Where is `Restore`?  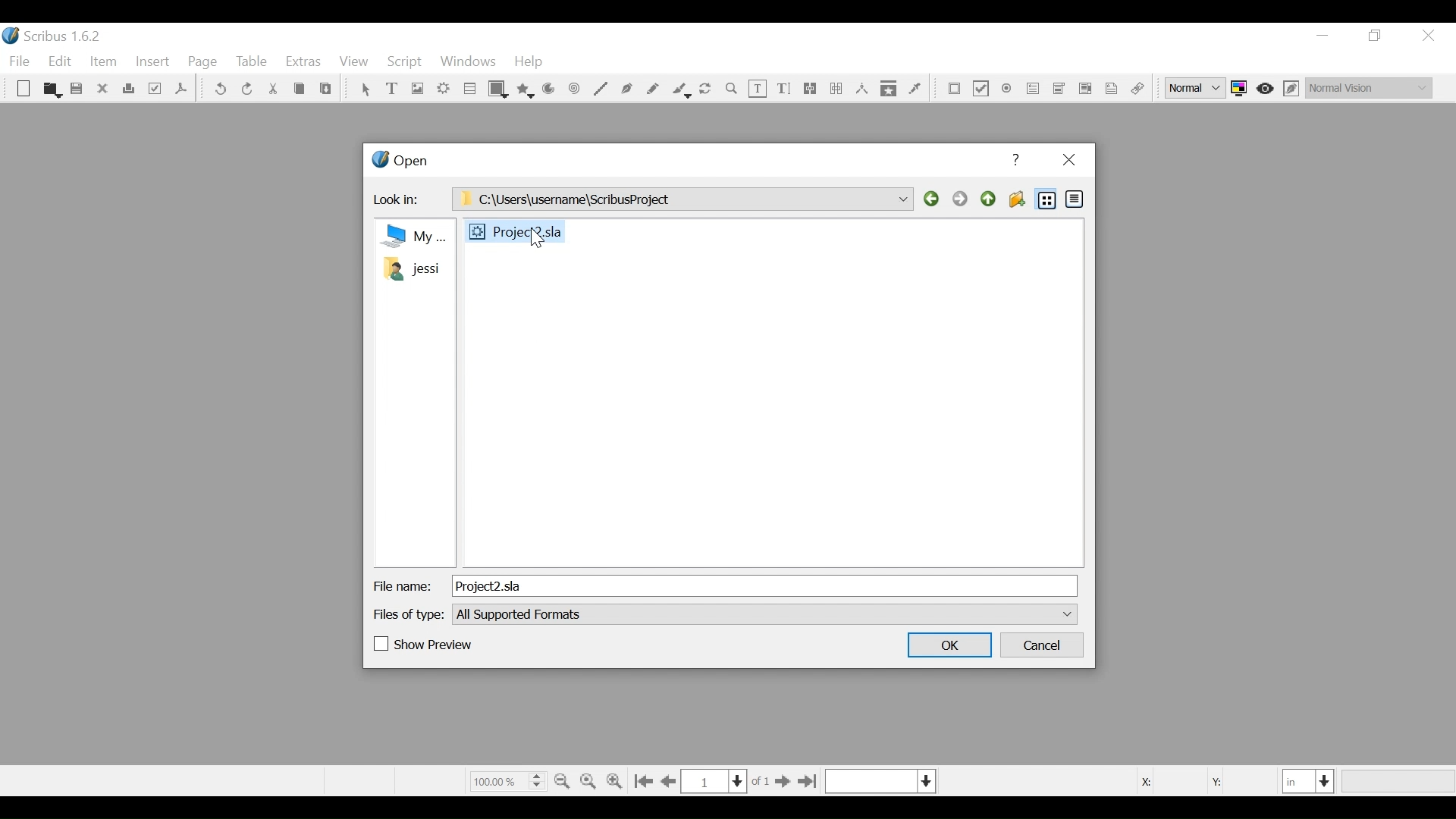 Restore is located at coordinates (1376, 36).